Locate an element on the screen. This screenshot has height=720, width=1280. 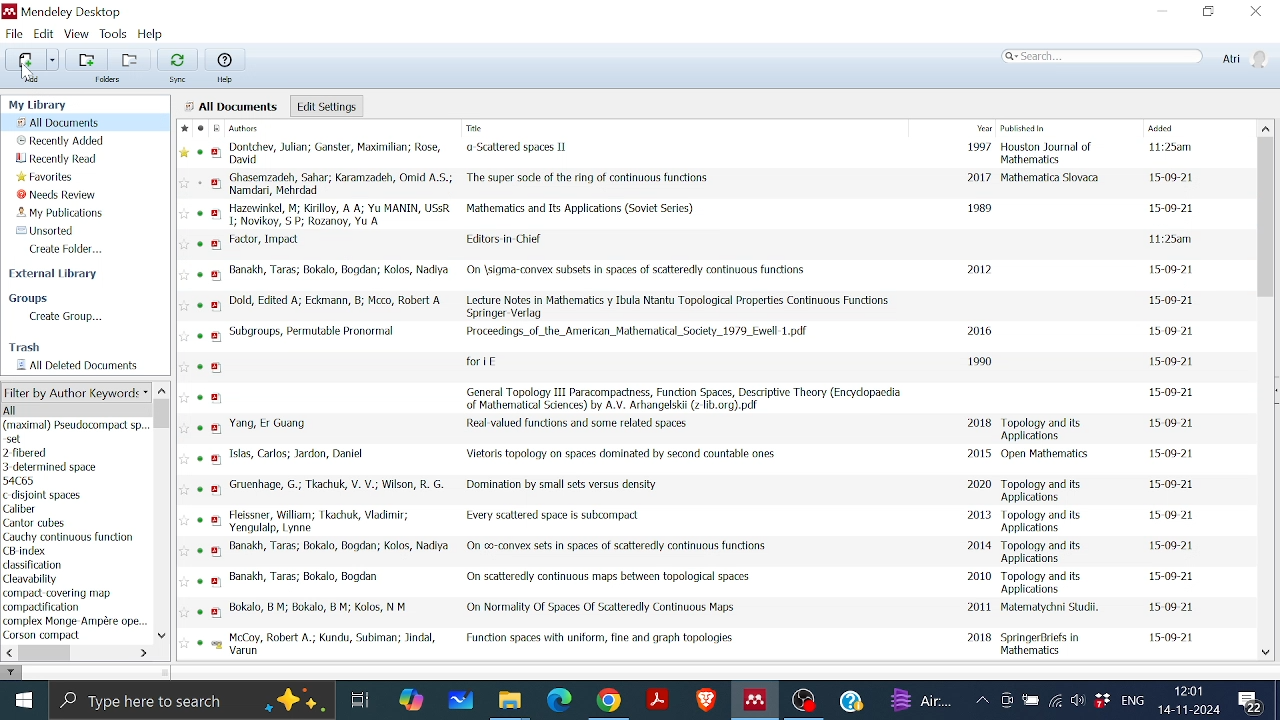
read status is located at coordinates (202, 553).